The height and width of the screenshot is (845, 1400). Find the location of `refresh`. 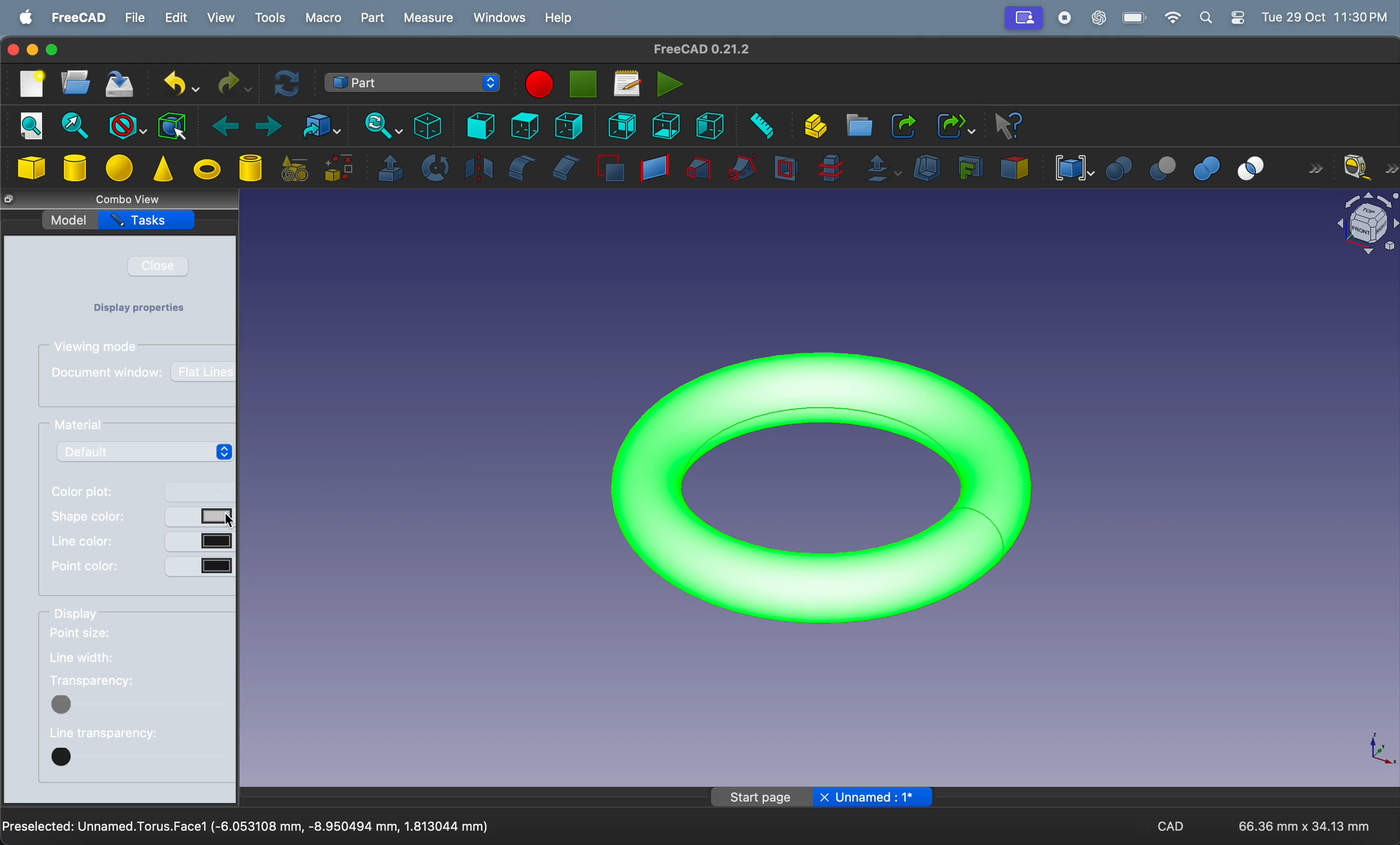

refresh is located at coordinates (289, 85).